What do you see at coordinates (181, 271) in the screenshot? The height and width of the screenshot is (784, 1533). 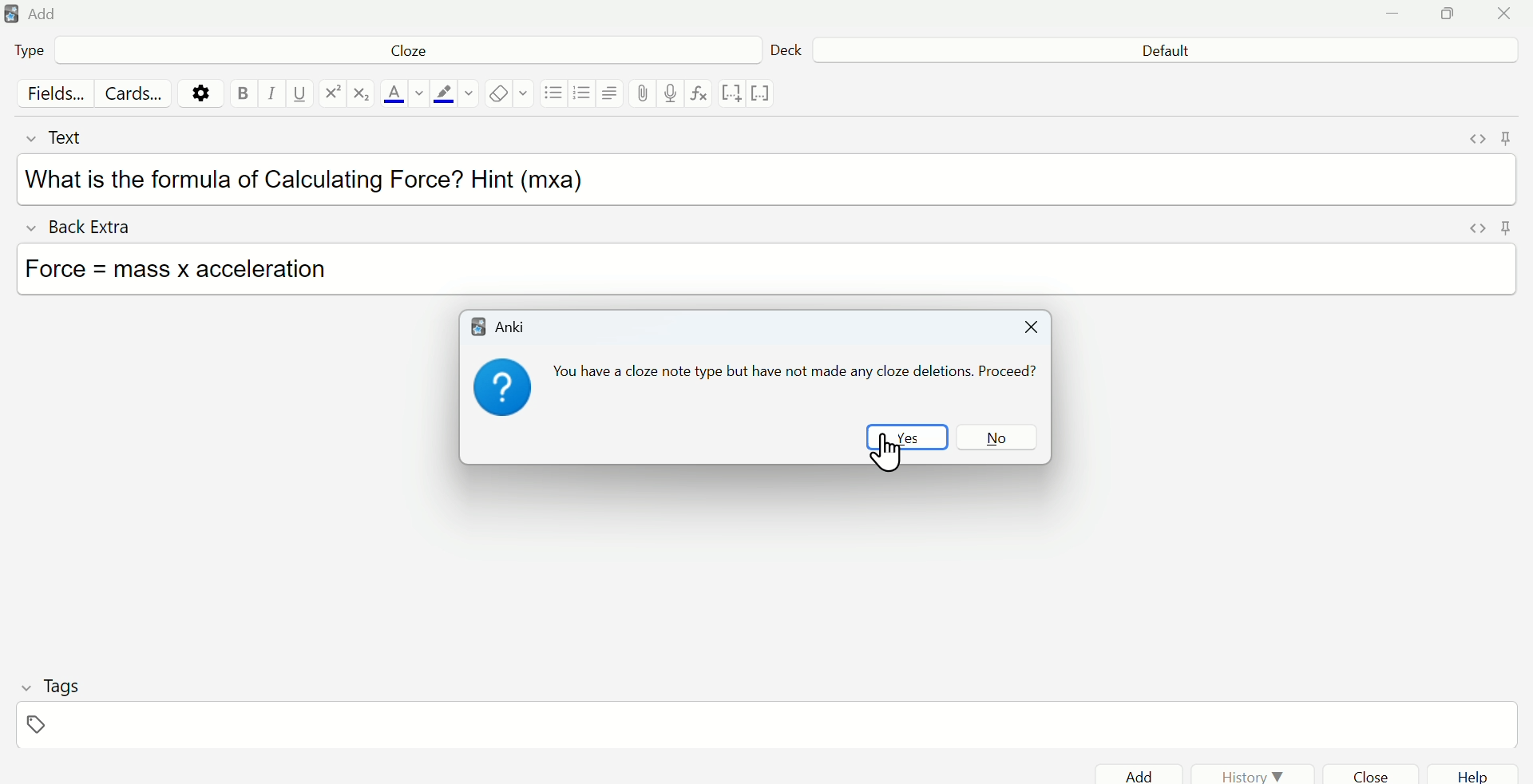 I see `Force = mass x acceleration` at bounding box center [181, 271].